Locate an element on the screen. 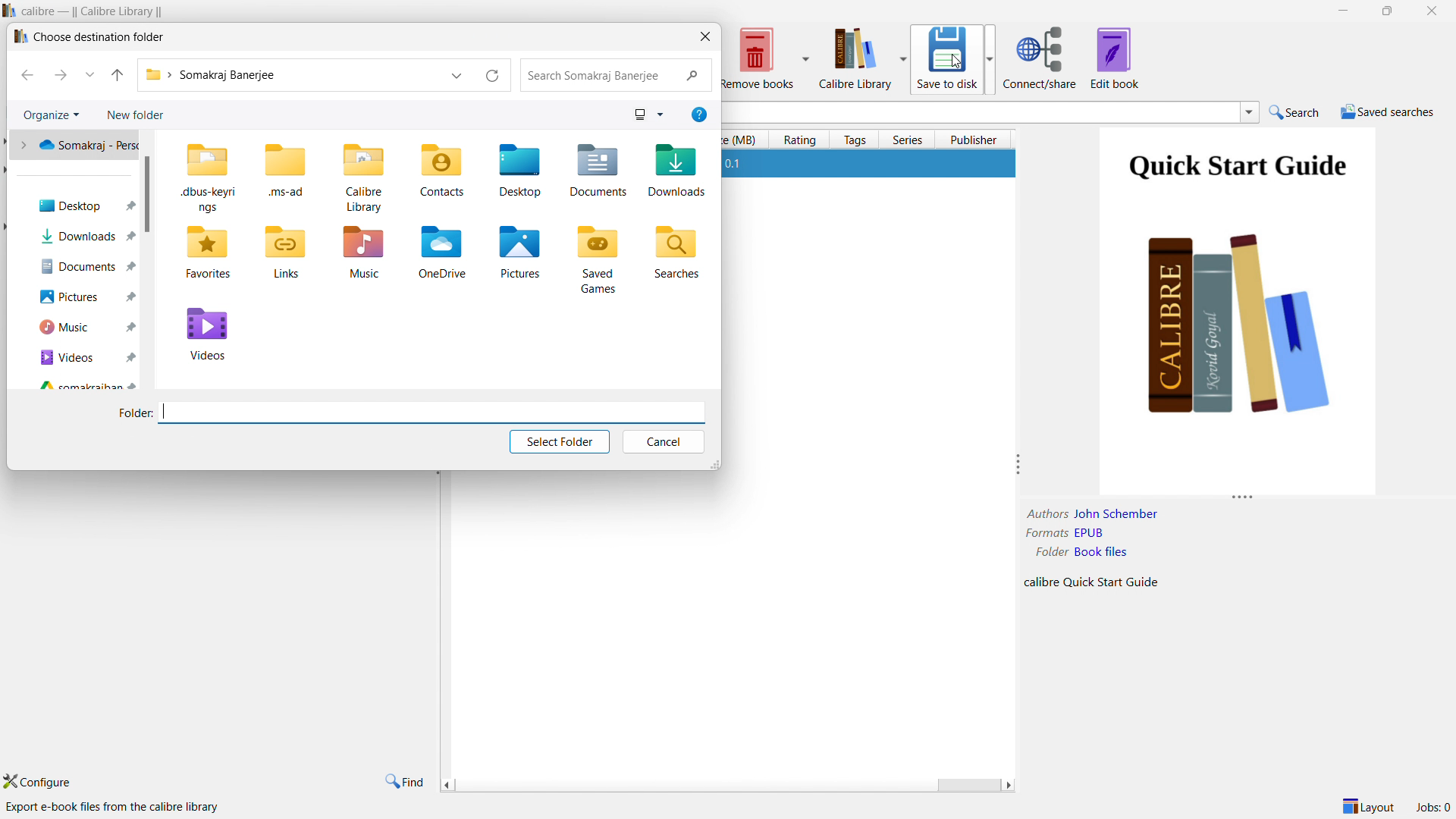 This screenshot has height=819, width=1456. Links is located at coordinates (284, 255).